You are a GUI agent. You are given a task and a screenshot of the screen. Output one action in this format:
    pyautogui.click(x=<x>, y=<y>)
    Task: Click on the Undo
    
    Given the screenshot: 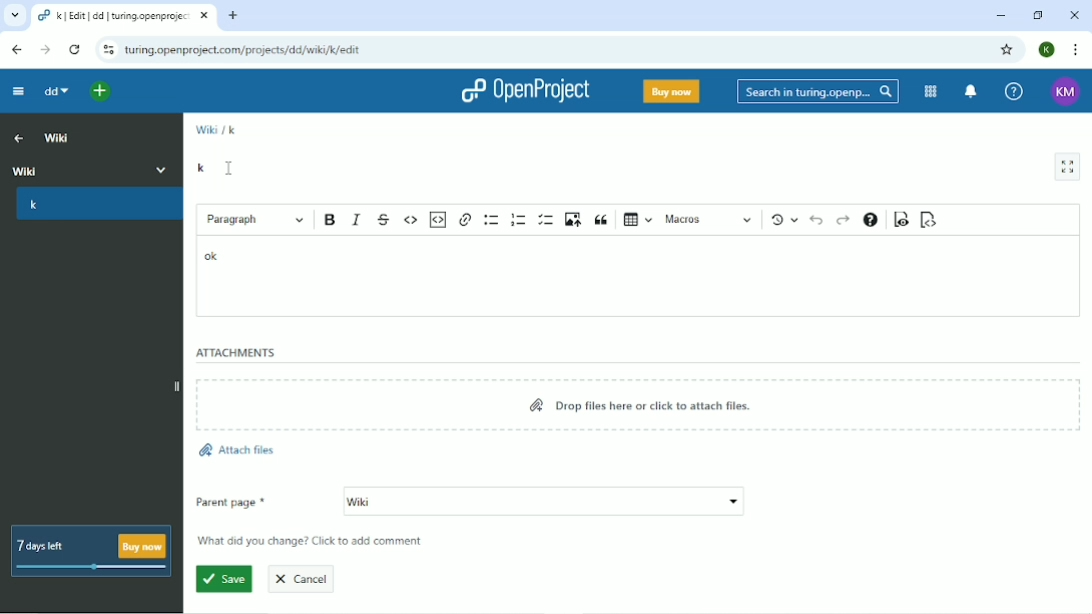 What is the action you would take?
    pyautogui.click(x=817, y=222)
    